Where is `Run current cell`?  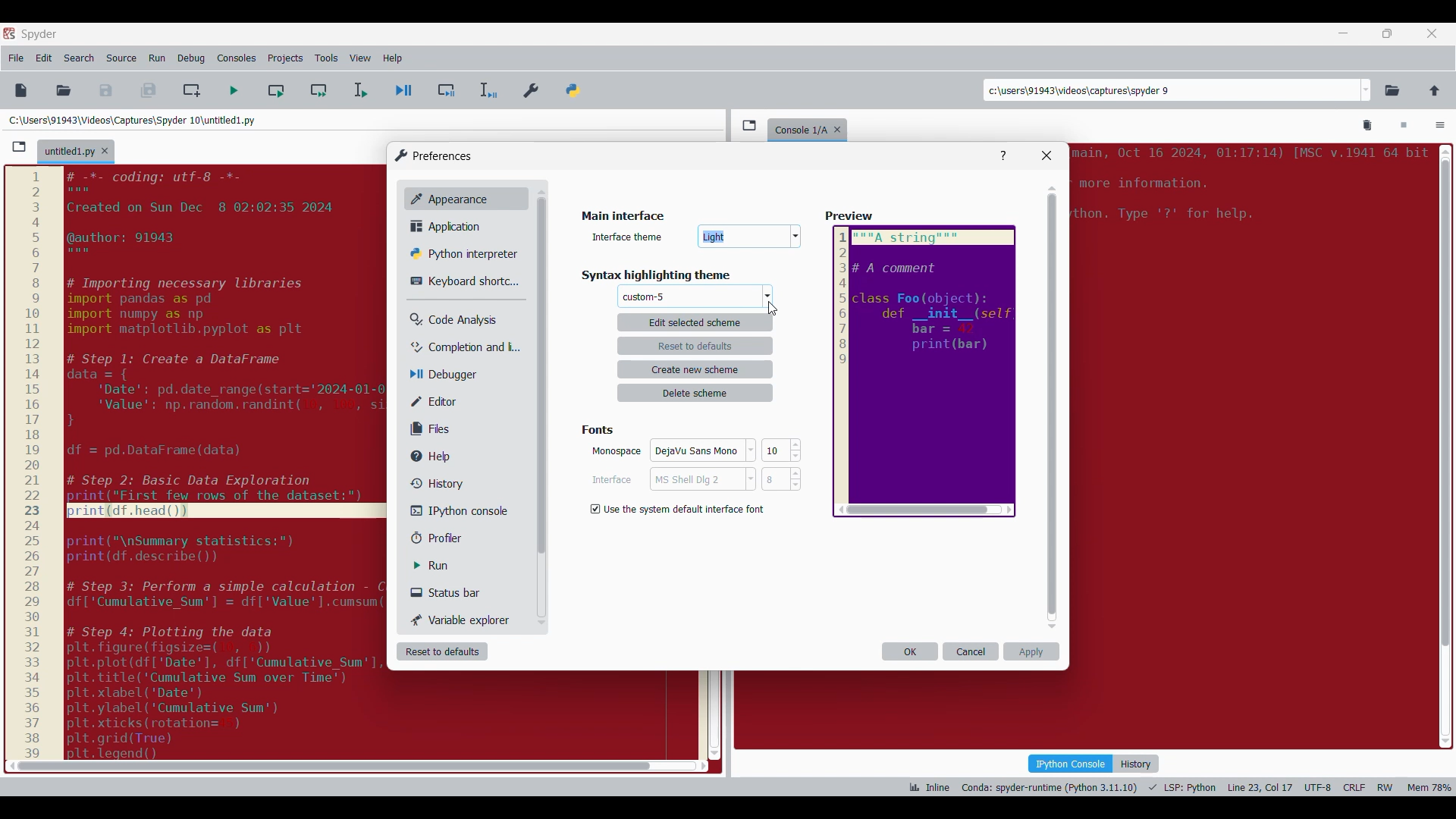
Run current cell is located at coordinates (276, 90).